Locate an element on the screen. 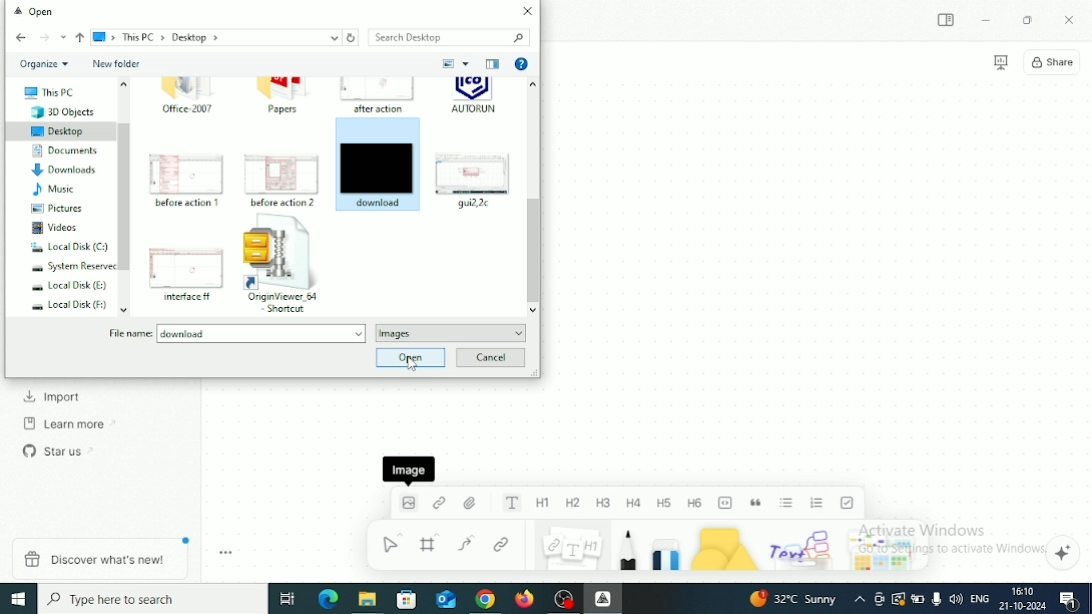  AUTORUN is located at coordinates (474, 99).